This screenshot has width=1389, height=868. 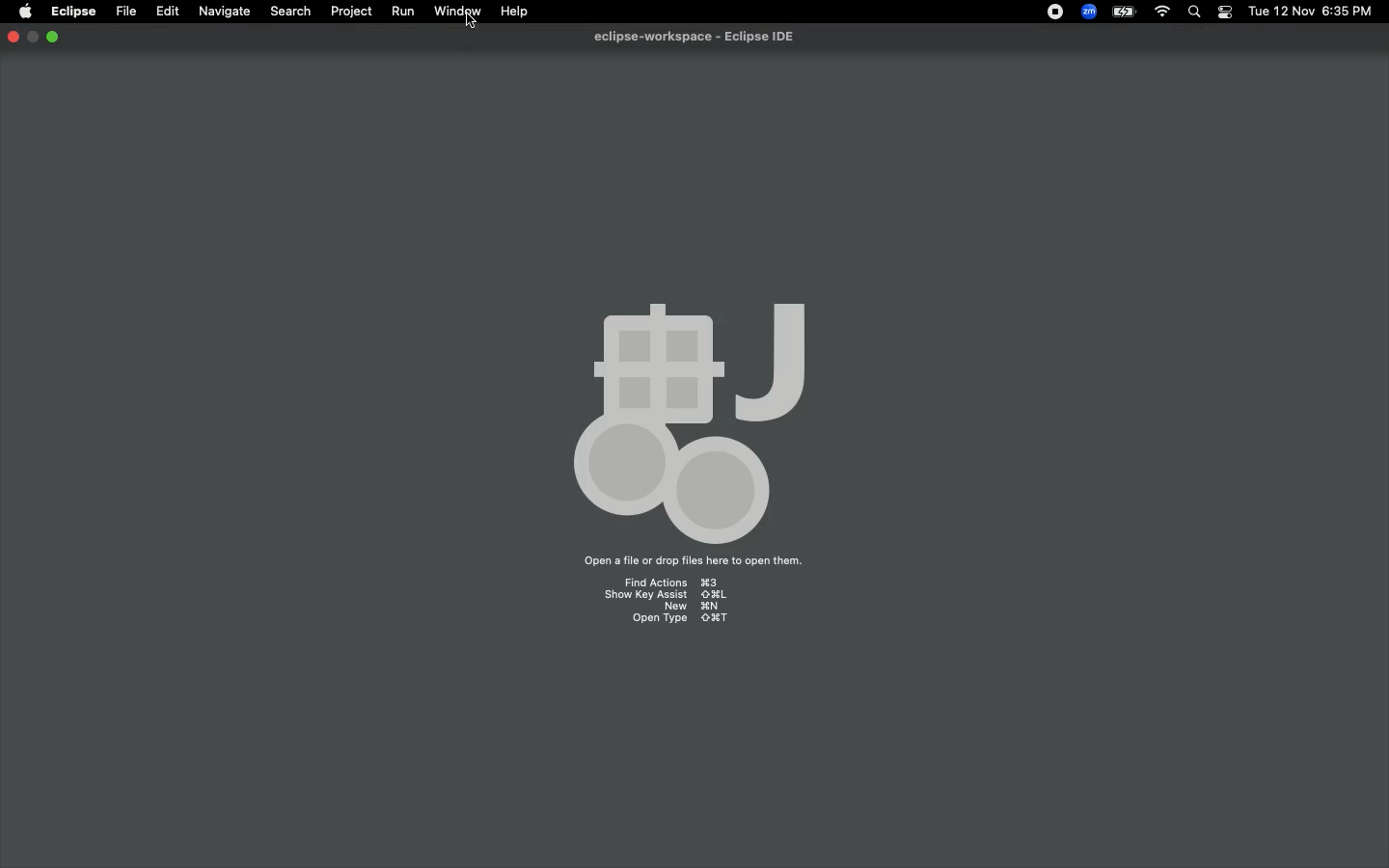 I want to click on Date/time, so click(x=1312, y=11).